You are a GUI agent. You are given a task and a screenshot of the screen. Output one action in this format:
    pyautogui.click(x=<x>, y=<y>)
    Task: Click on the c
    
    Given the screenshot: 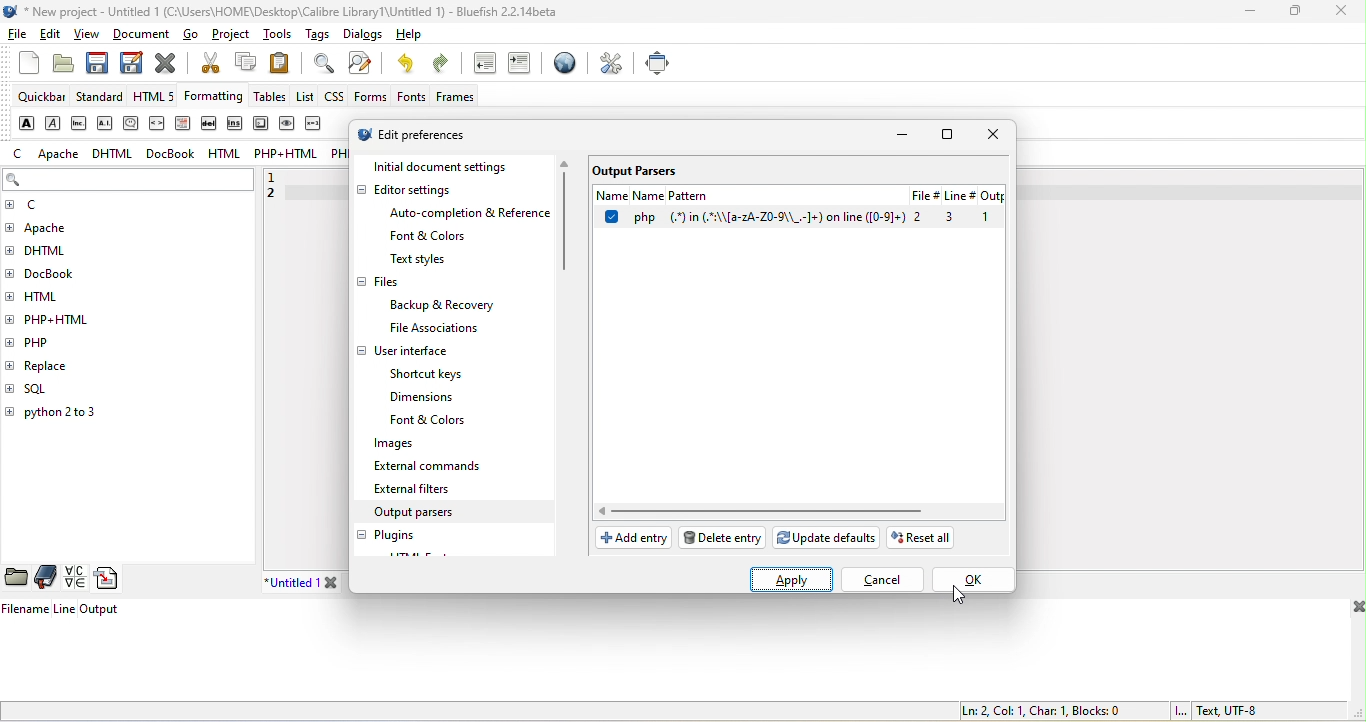 What is the action you would take?
    pyautogui.click(x=19, y=154)
    